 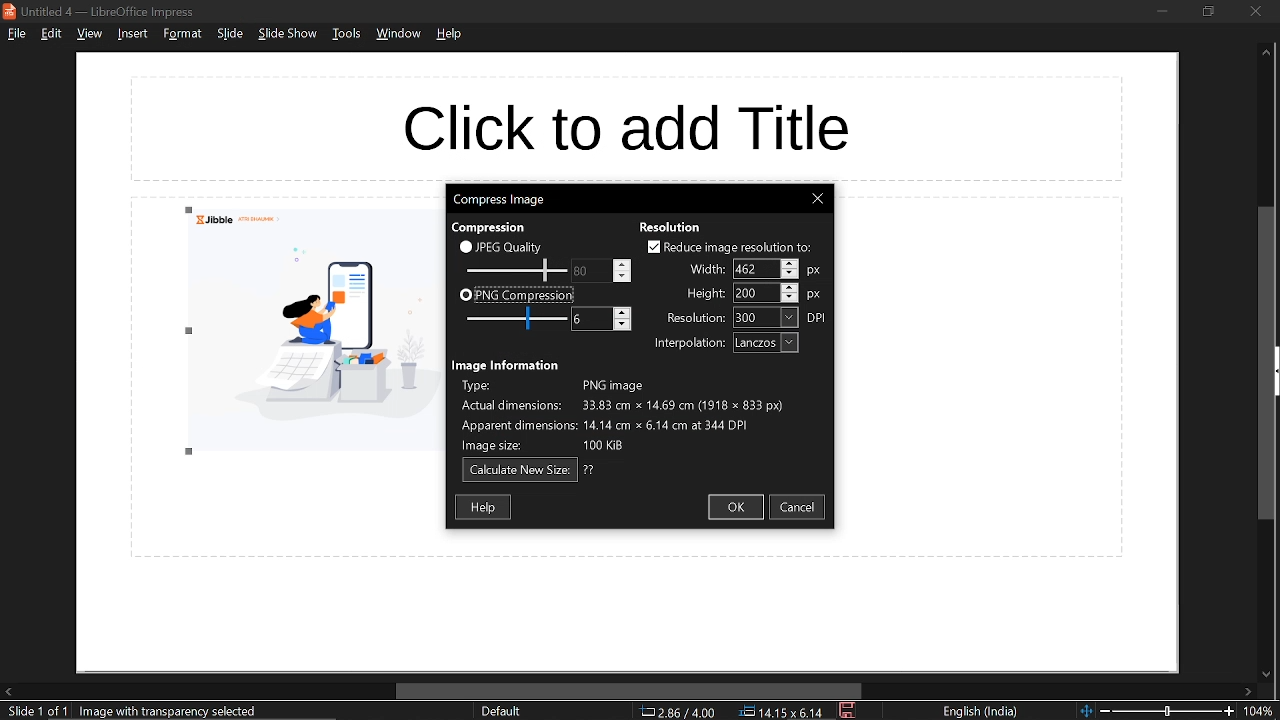 What do you see at coordinates (685, 344) in the screenshot?
I see `interpolation` at bounding box center [685, 344].